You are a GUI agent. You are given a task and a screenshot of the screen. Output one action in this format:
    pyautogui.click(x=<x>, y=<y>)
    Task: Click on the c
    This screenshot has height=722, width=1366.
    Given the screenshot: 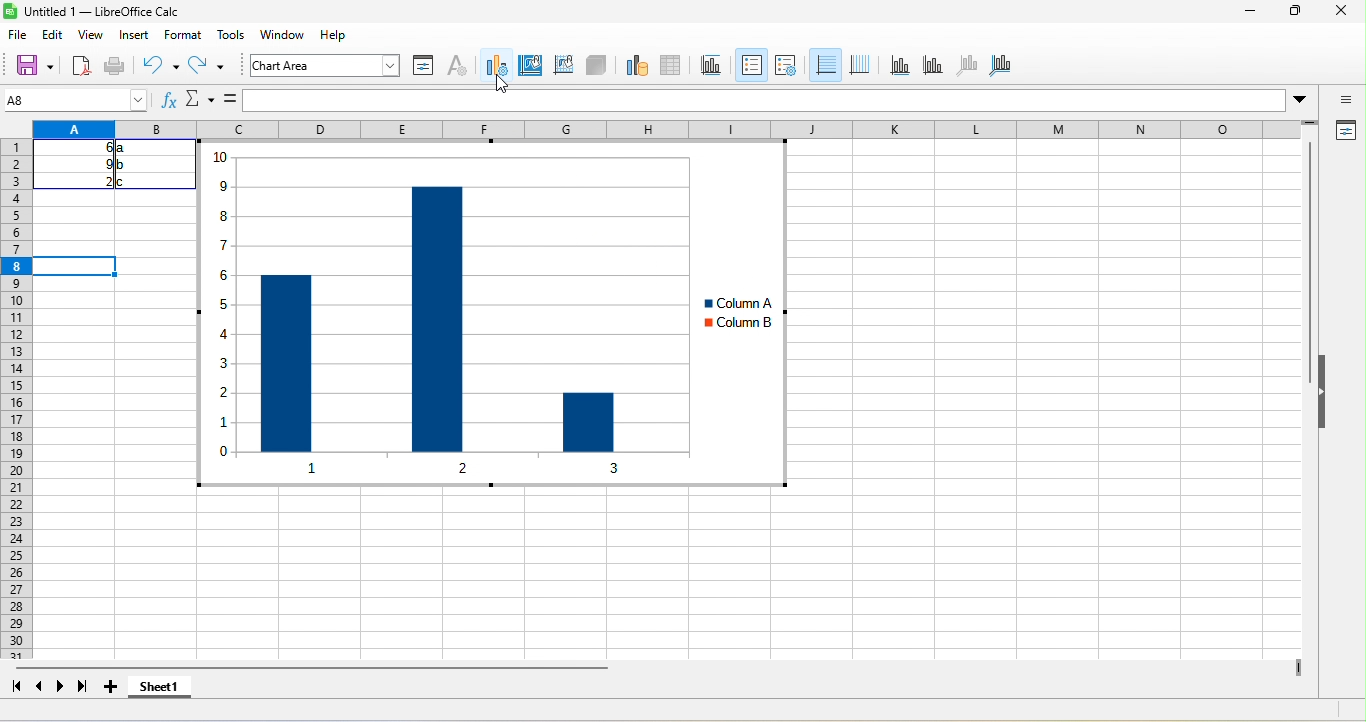 What is the action you would take?
    pyautogui.click(x=127, y=181)
    